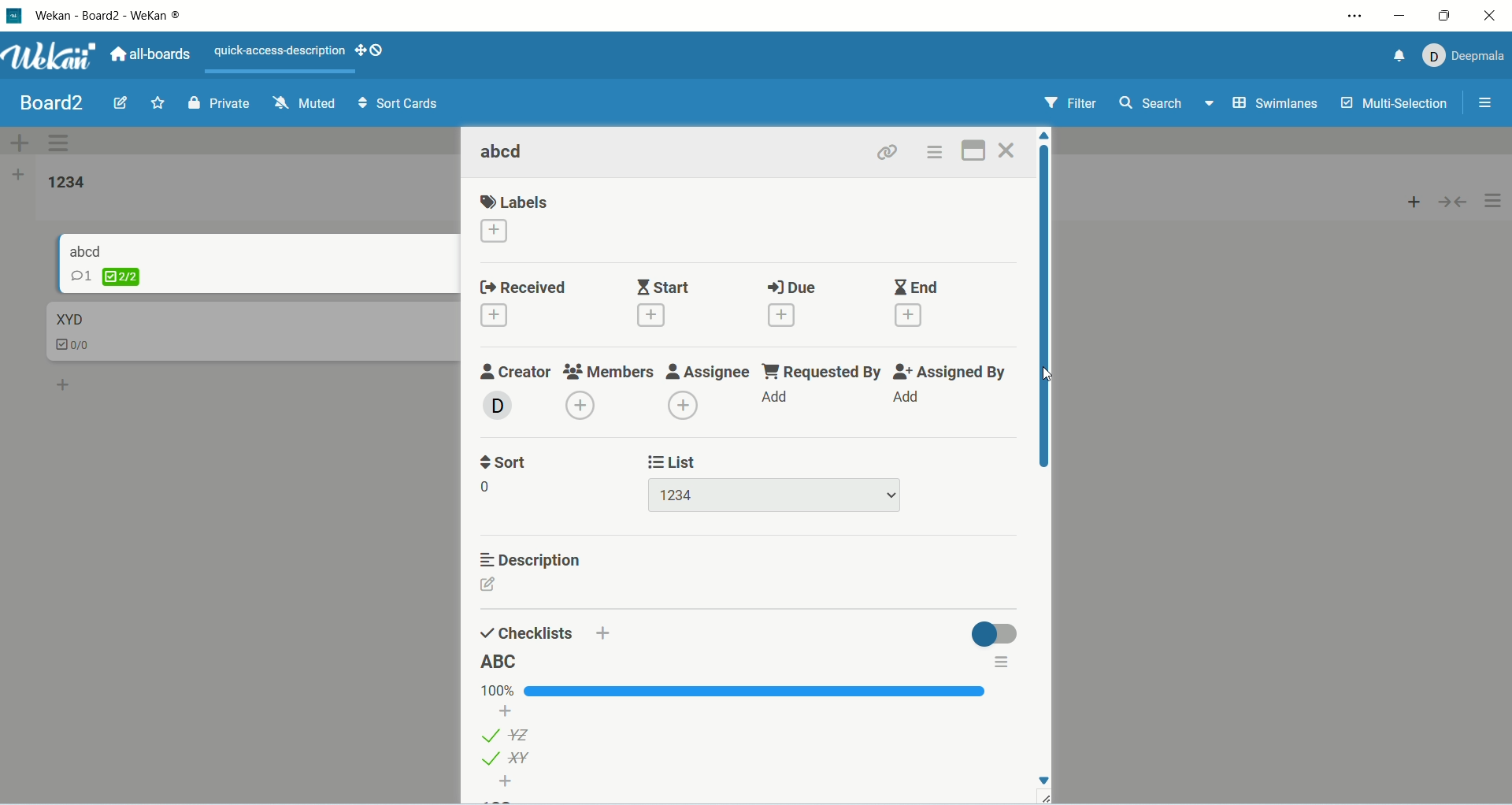 Image resolution: width=1512 pixels, height=805 pixels. What do you see at coordinates (105, 276) in the screenshot?
I see `checklist` at bounding box center [105, 276].